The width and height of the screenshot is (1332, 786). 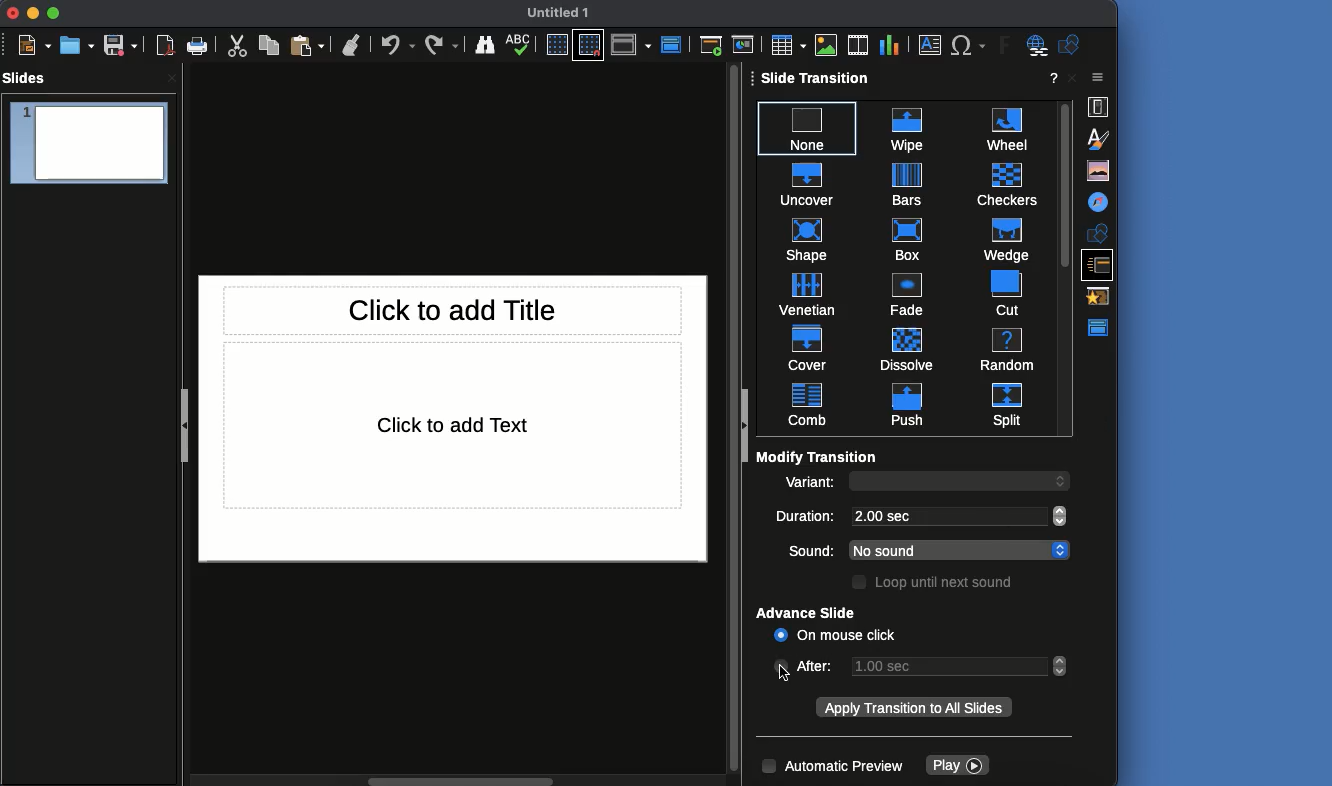 What do you see at coordinates (1101, 327) in the screenshot?
I see `Master view` at bounding box center [1101, 327].